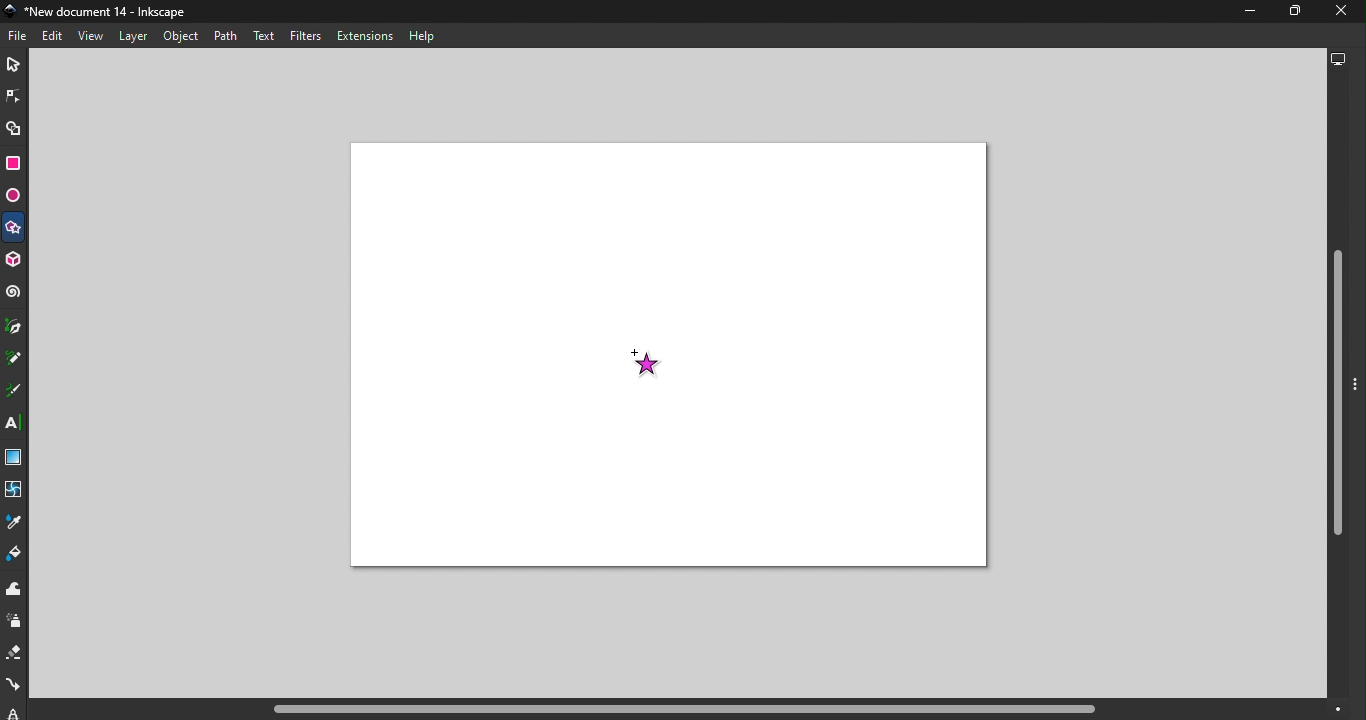 The image size is (1366, 720). Describe the element at coordinates (667, 360) in the screenshot. I see `Canvas` at that location.